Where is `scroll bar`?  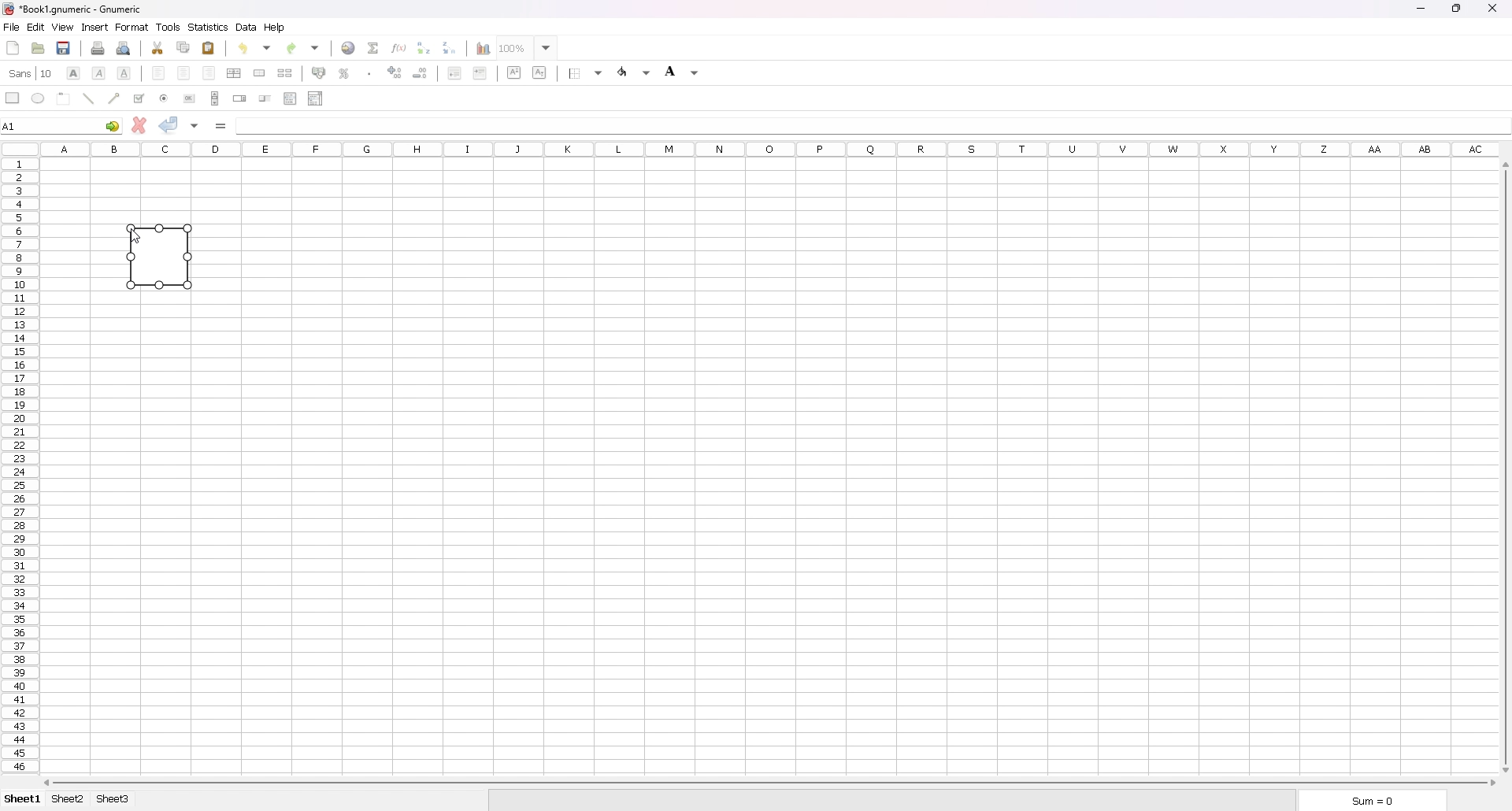
scroll bar is located at coordinates (1504, 468).